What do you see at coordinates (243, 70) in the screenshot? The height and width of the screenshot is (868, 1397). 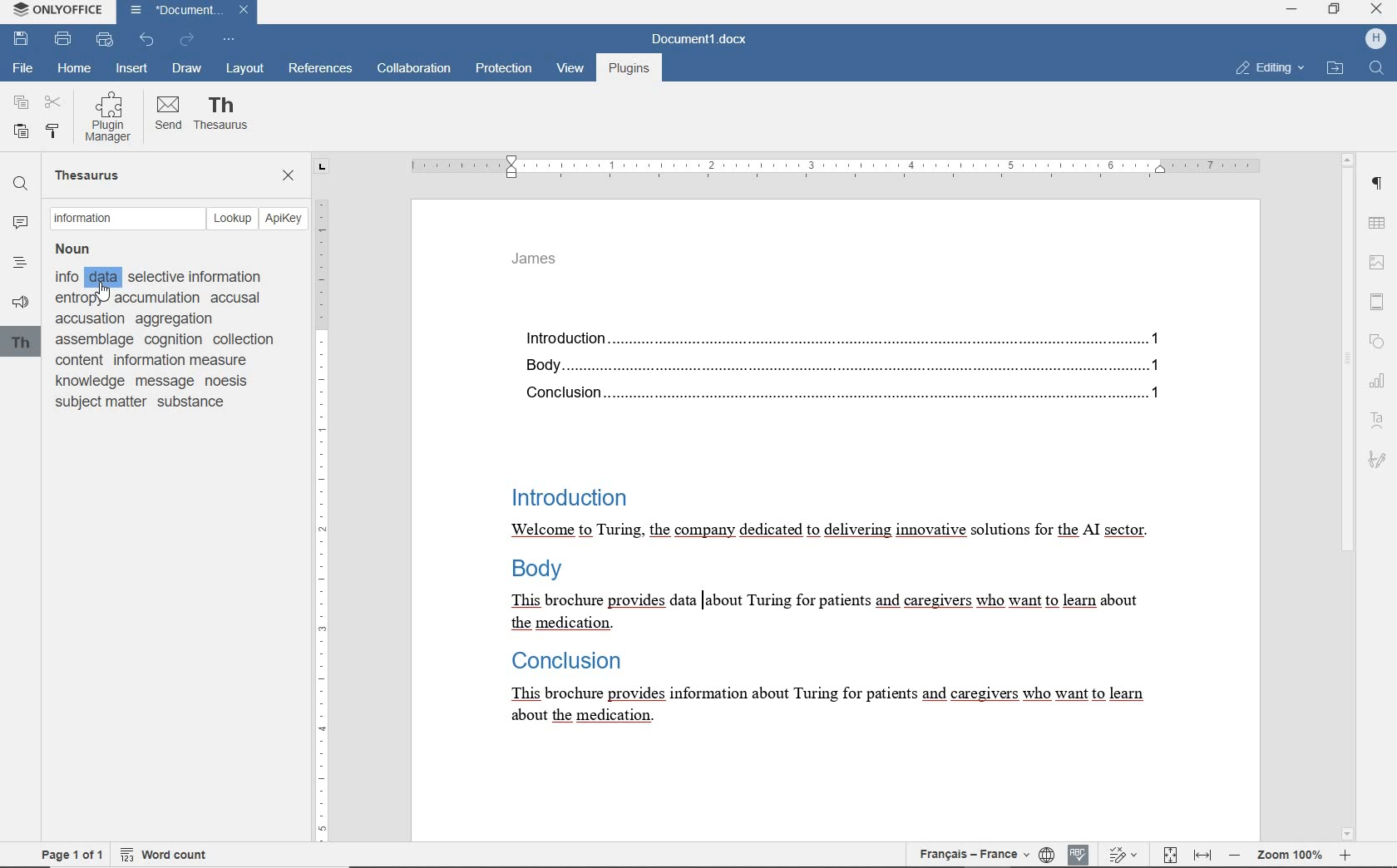 I see `LAYOUT` at bounding box center [243, 70].